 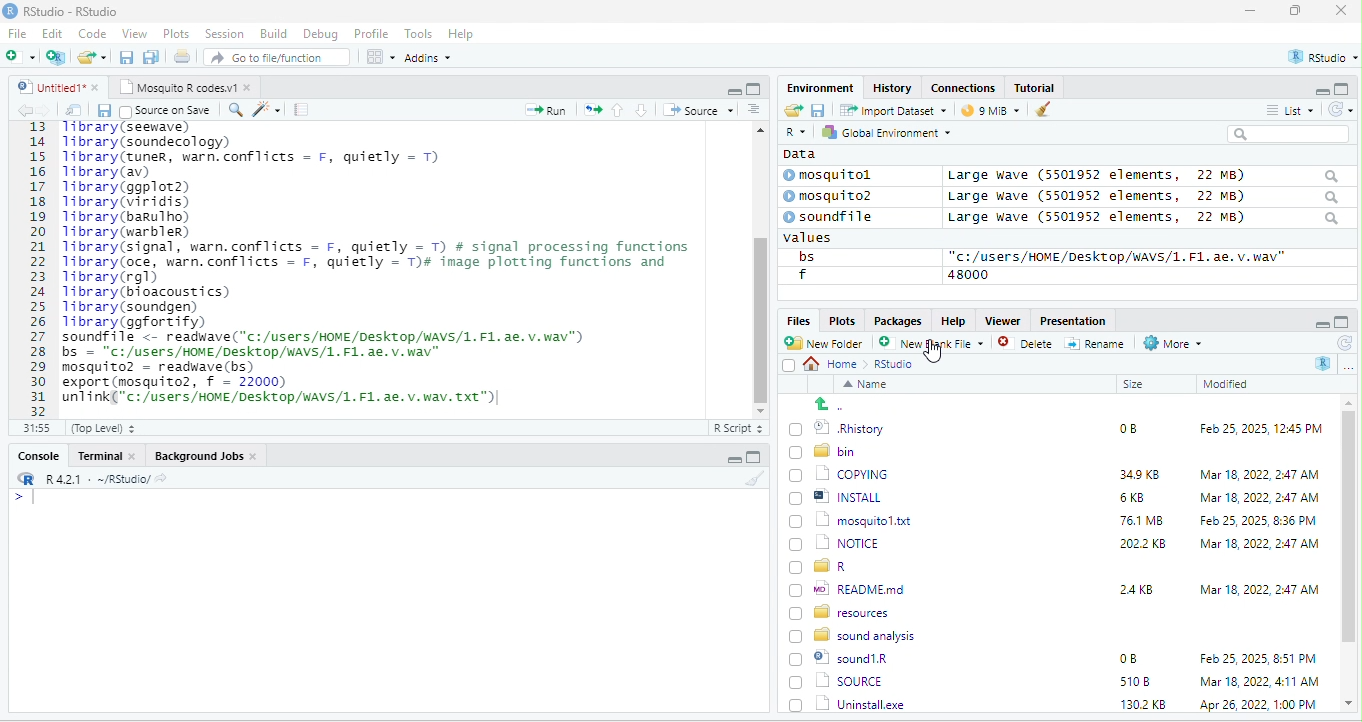 What do you see at coordinates (1254, 499) in the screenshot?
I see `Mar 18, 2022, 2:47 AM` at bounding box center [1254, 499].